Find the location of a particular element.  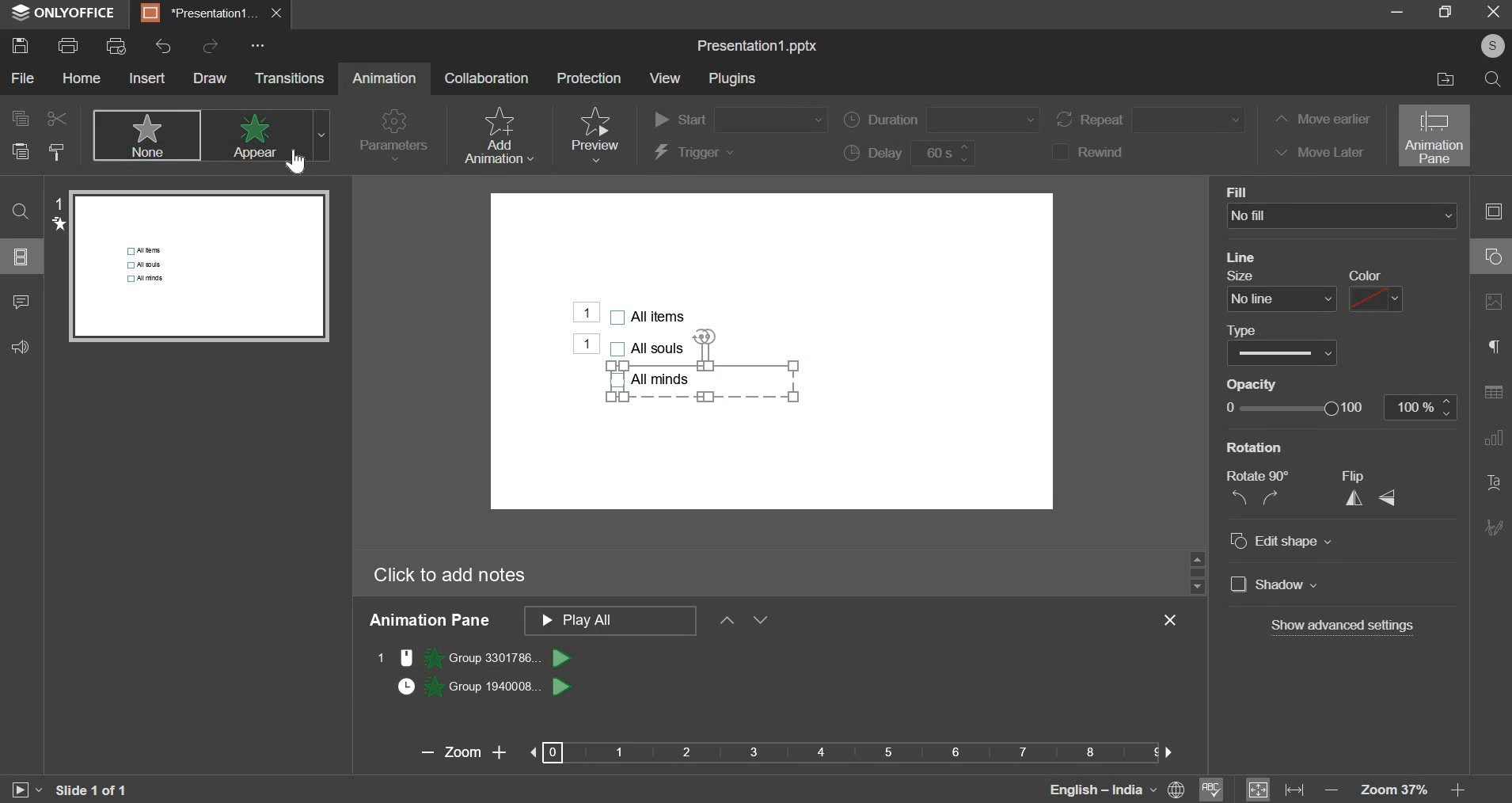

exit is located at coordinates (275, 13).